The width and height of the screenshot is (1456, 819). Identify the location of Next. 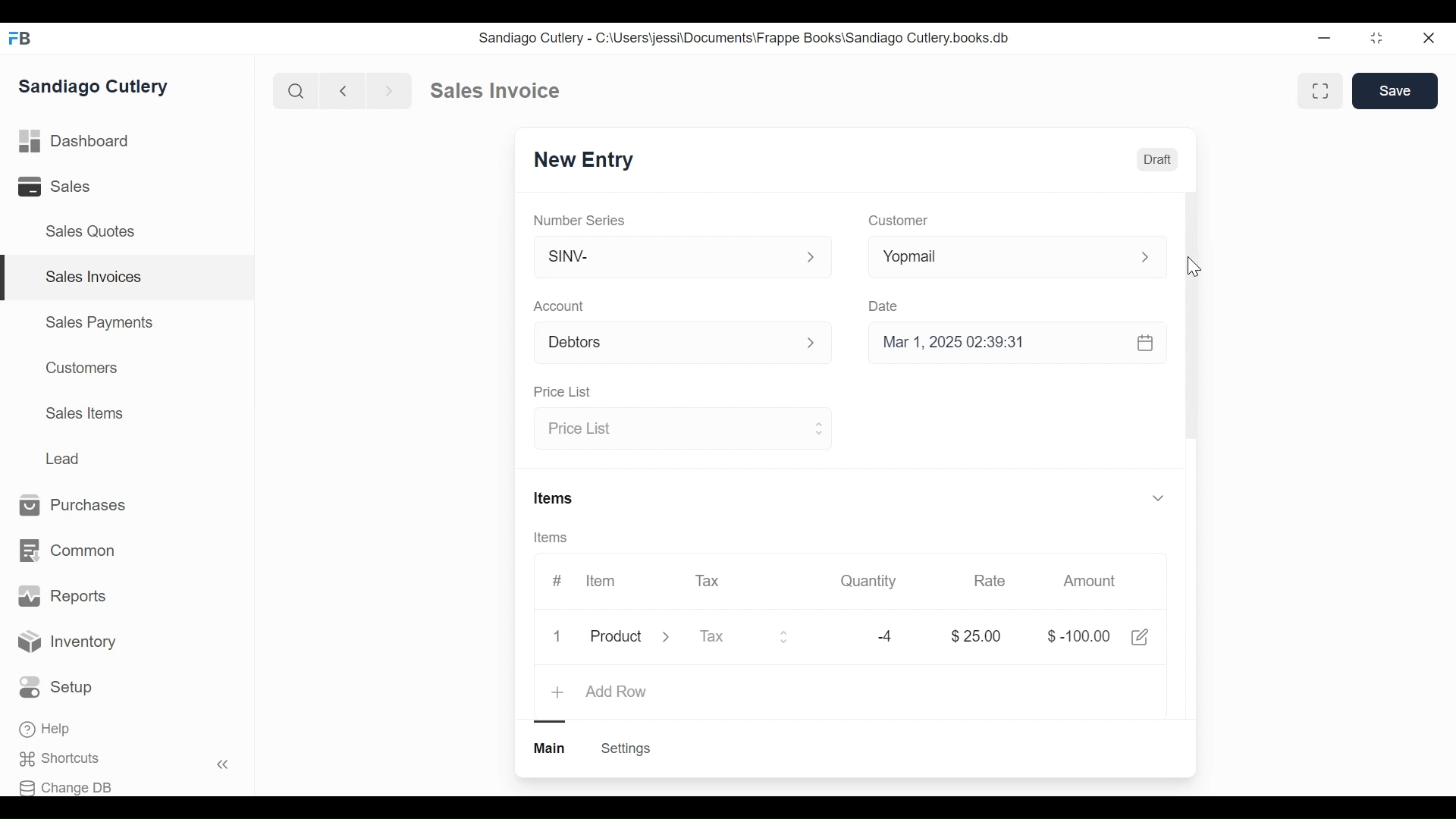
(391, 90).